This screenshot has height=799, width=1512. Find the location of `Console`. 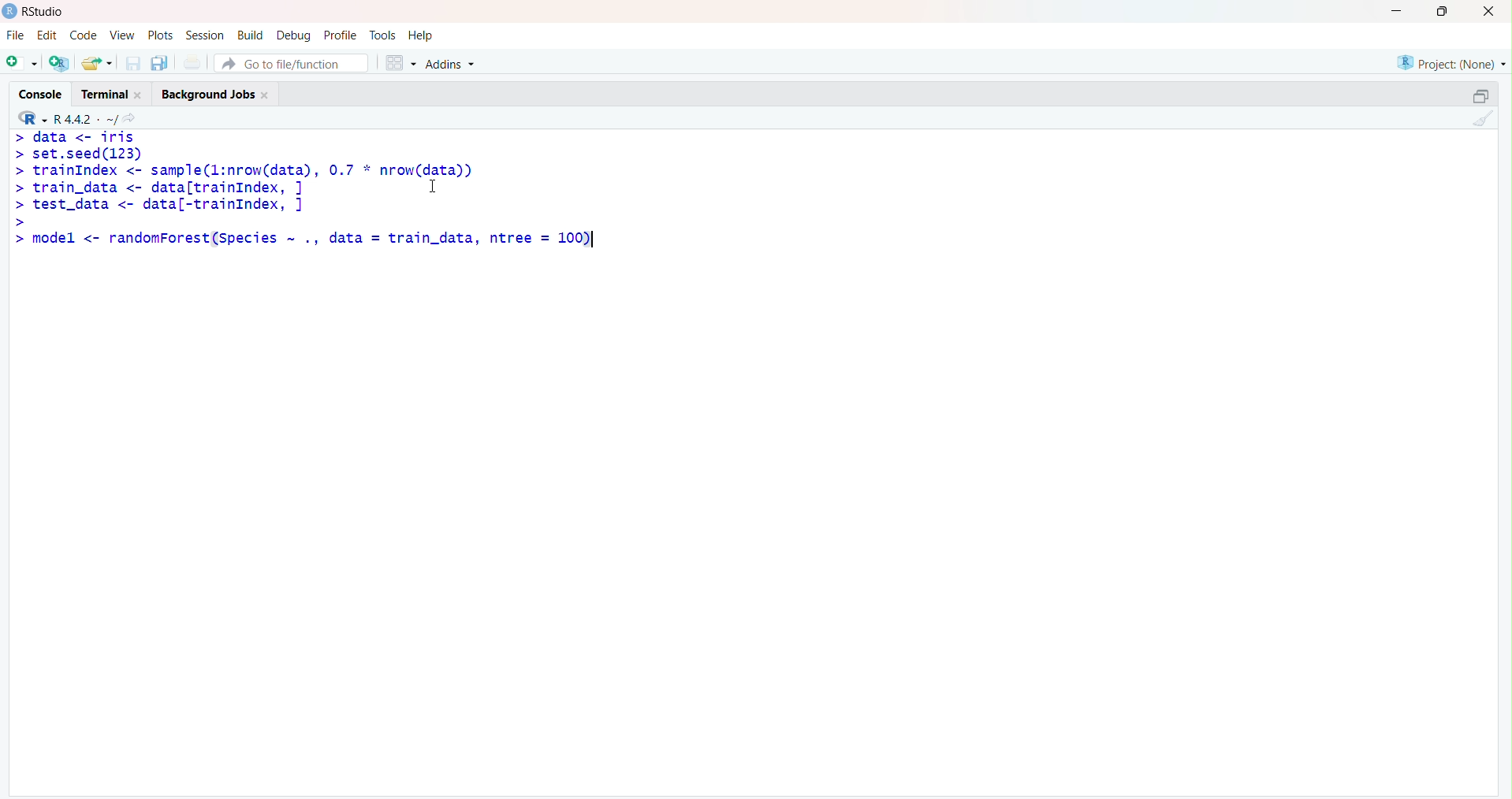

Console is located at coordinates (43, 91).